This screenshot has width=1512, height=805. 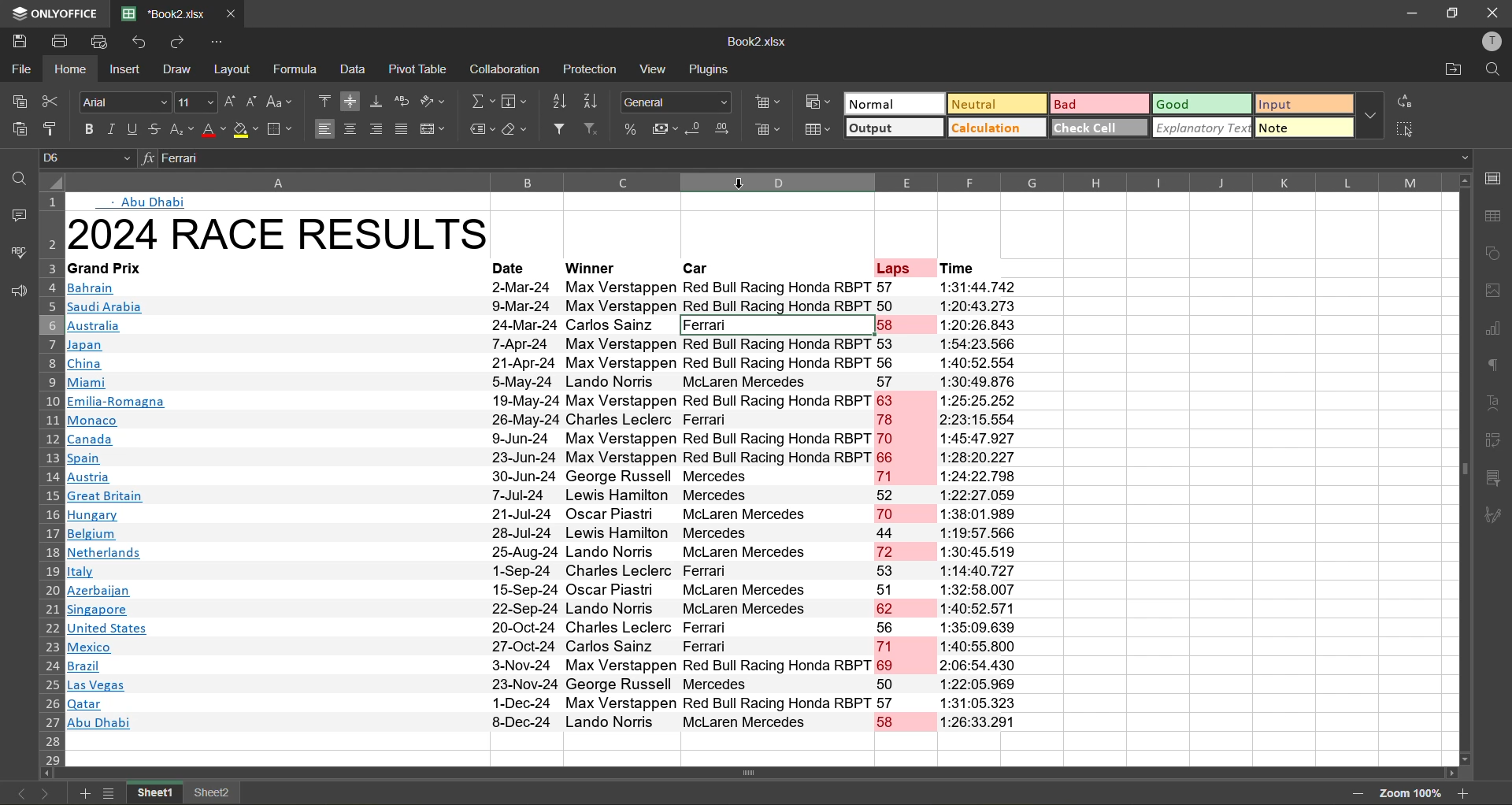 What do you see at coordinates (962, 269) in the screenshot?
I see `Time` at bounding box center [962, 269].